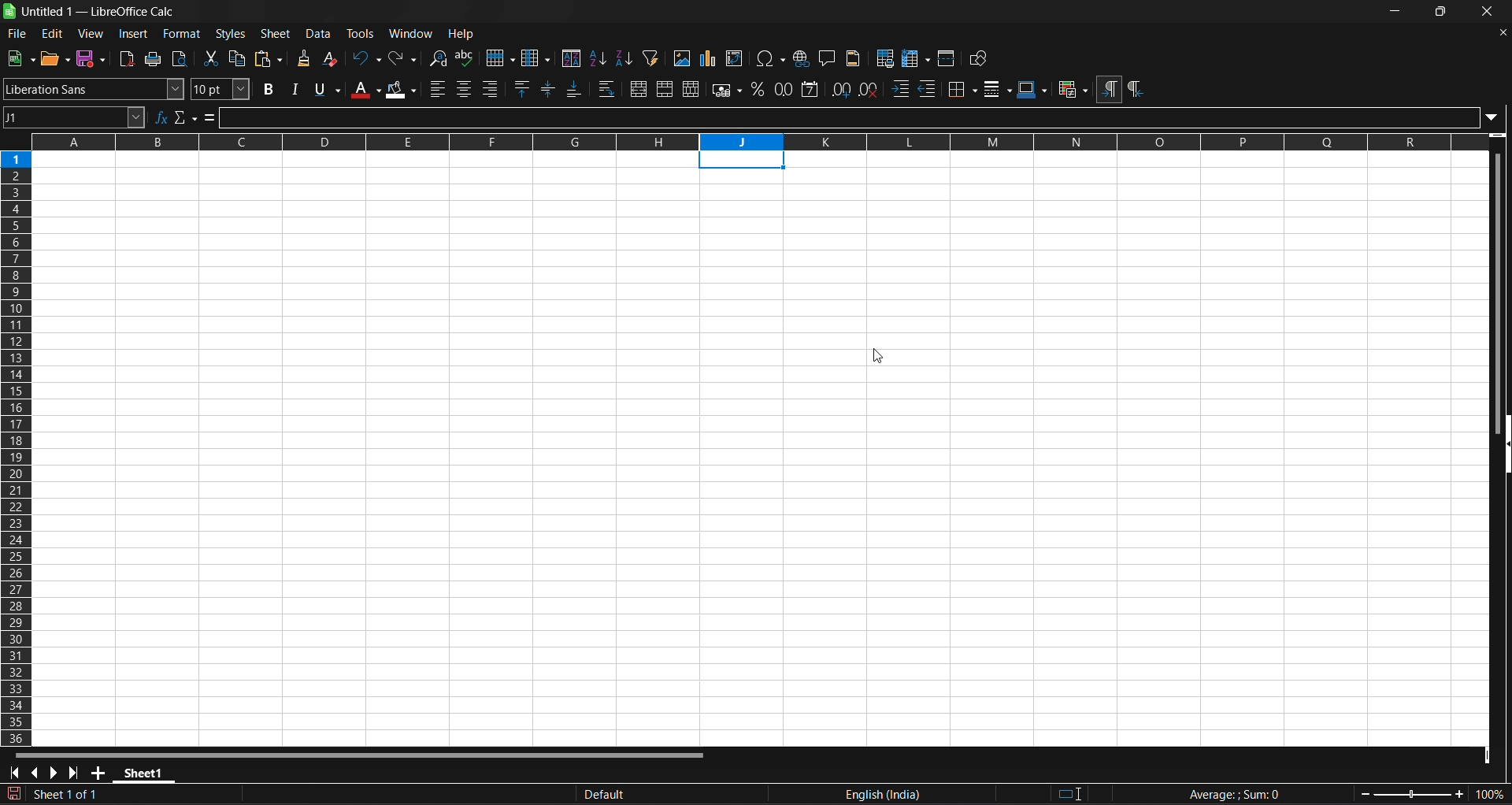  Describe the element at coordinates (438, 58) in the screenshot. I see `find and replace` at that location.